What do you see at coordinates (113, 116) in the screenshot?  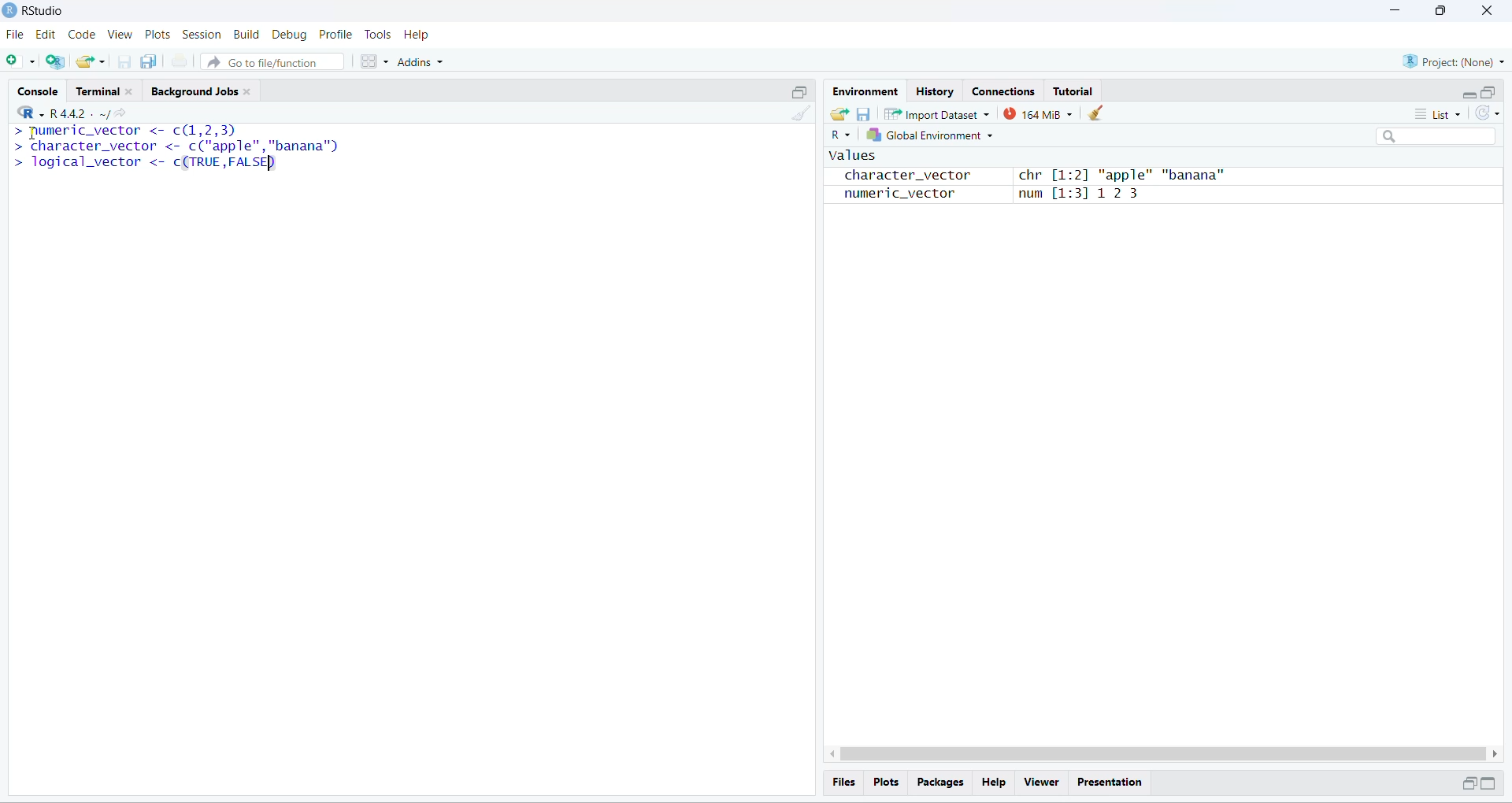 I see `share current directory` at bounding box center [113, 116].